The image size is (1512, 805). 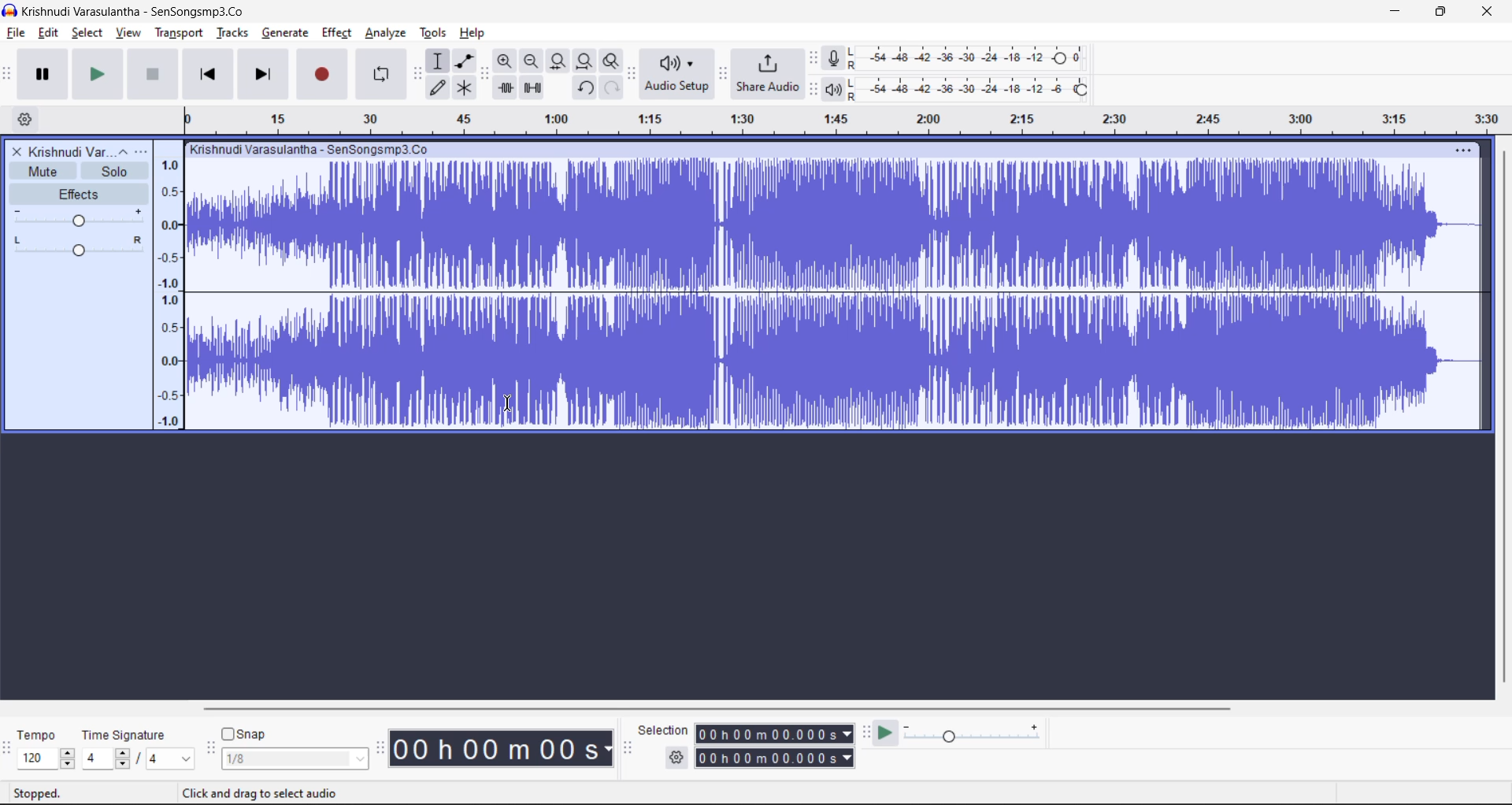 What do you see at coordinates (867, 732) in the screenshot?
I see `play at speed toolbar` at bounding box center [867, 732].